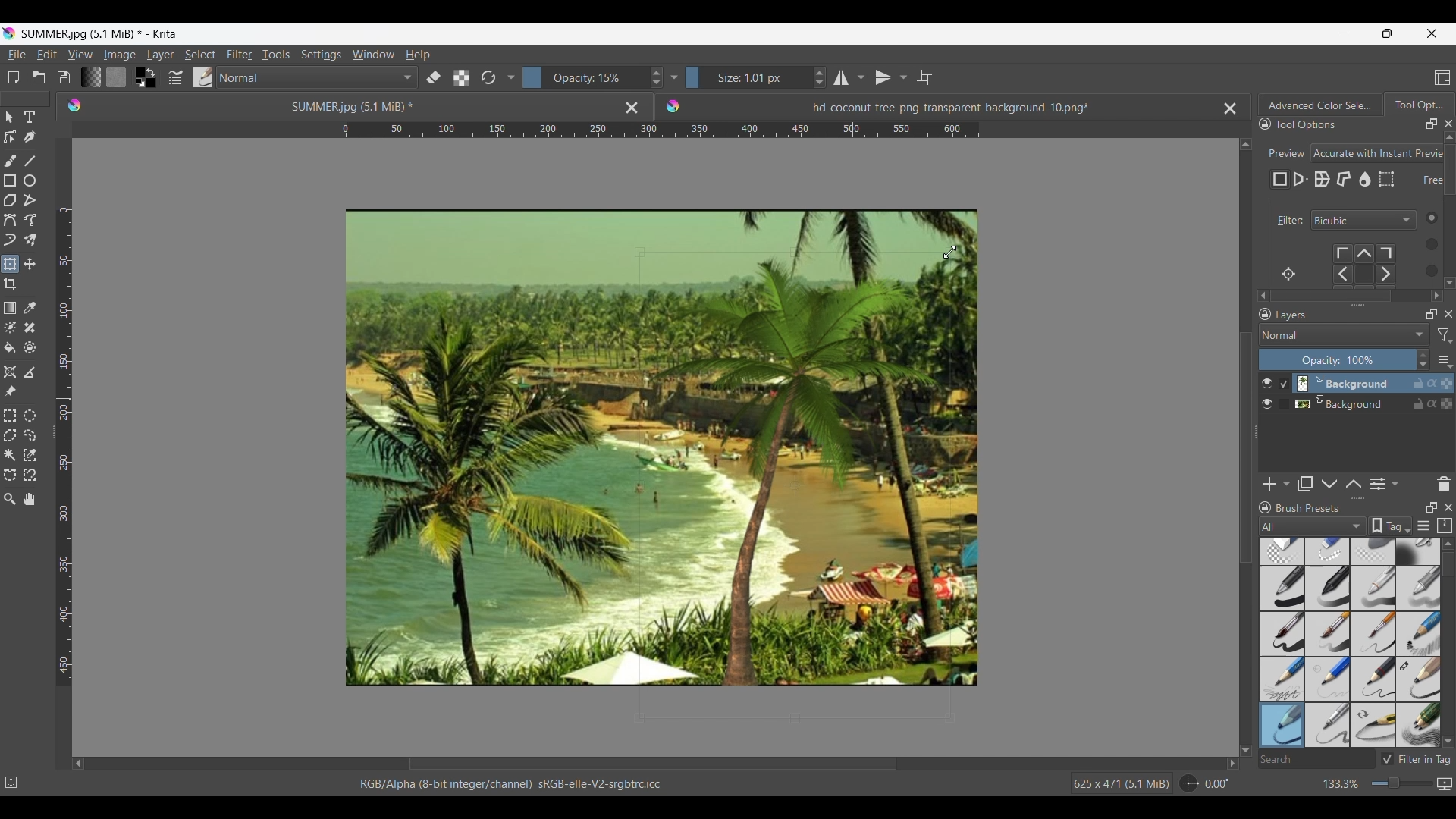 The width and height of the screenshot is (1456, 819). What do you see at coordinates (653, 764) in the screenshot?
I see `Horizontal slider` at bounding box center [653, 764].